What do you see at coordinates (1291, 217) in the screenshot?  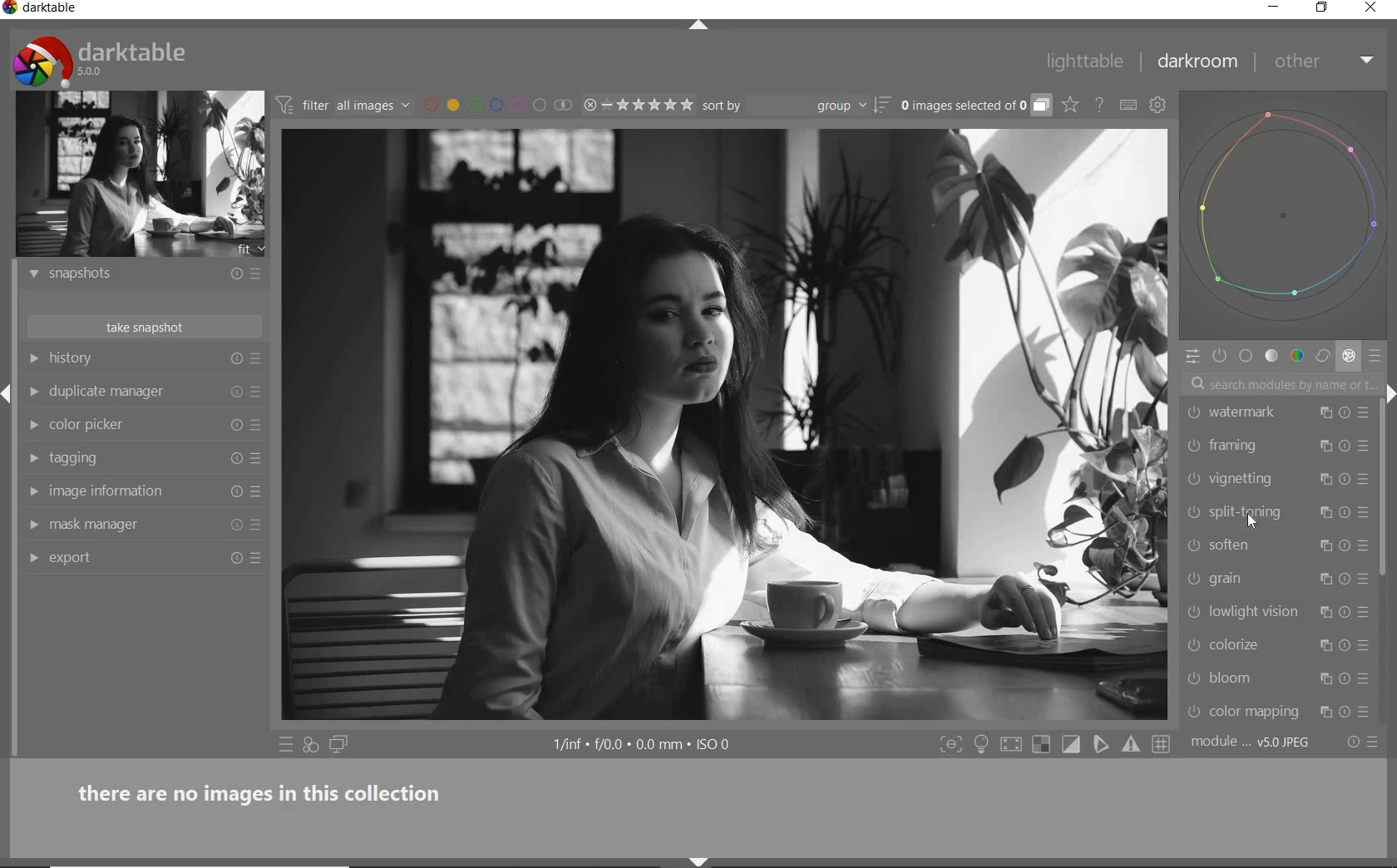 I see `waveform` at bounding box center [1291, 217].